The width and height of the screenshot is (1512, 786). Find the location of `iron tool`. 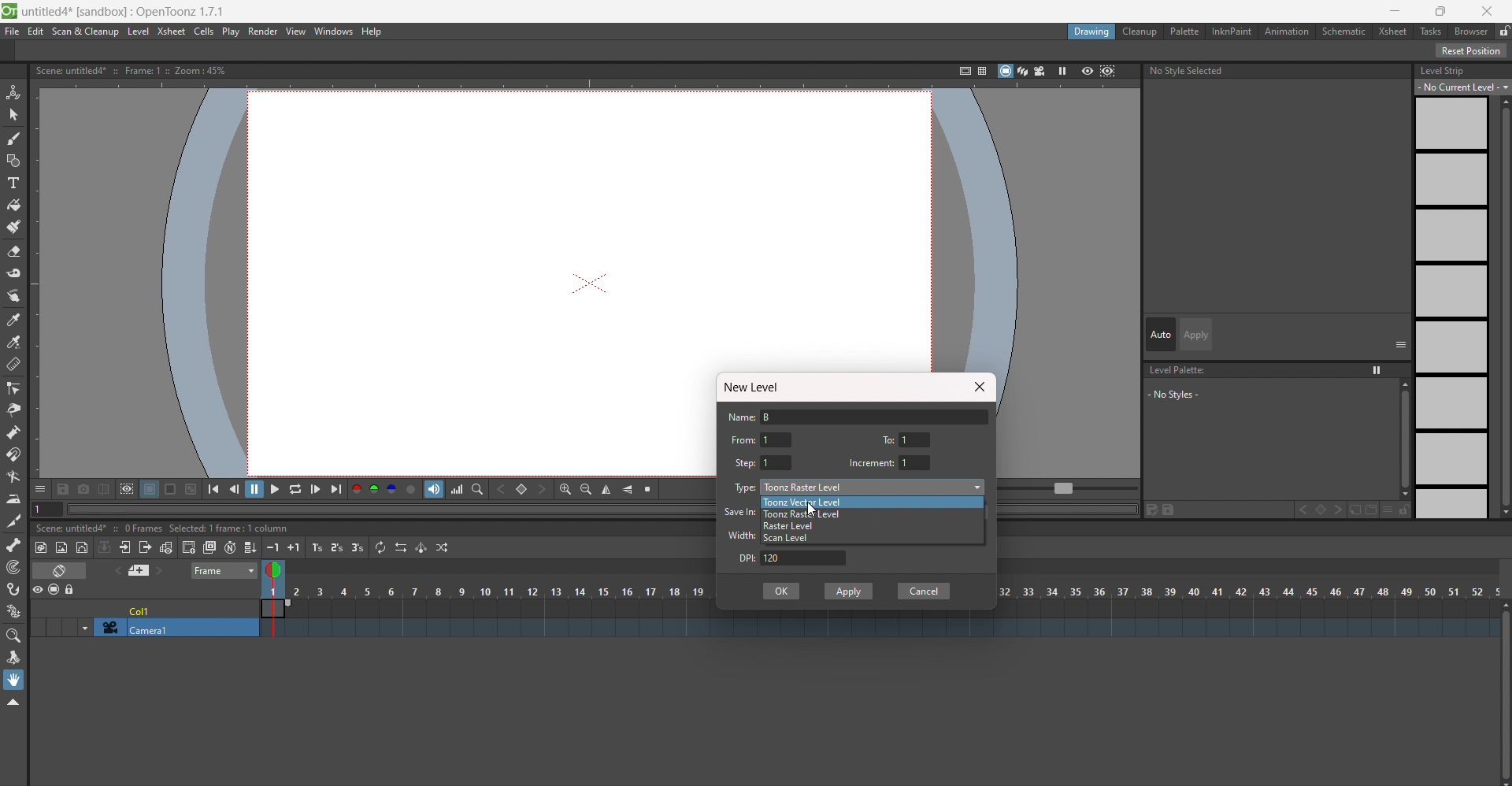

iron tool is located at coordinates (13, 500).